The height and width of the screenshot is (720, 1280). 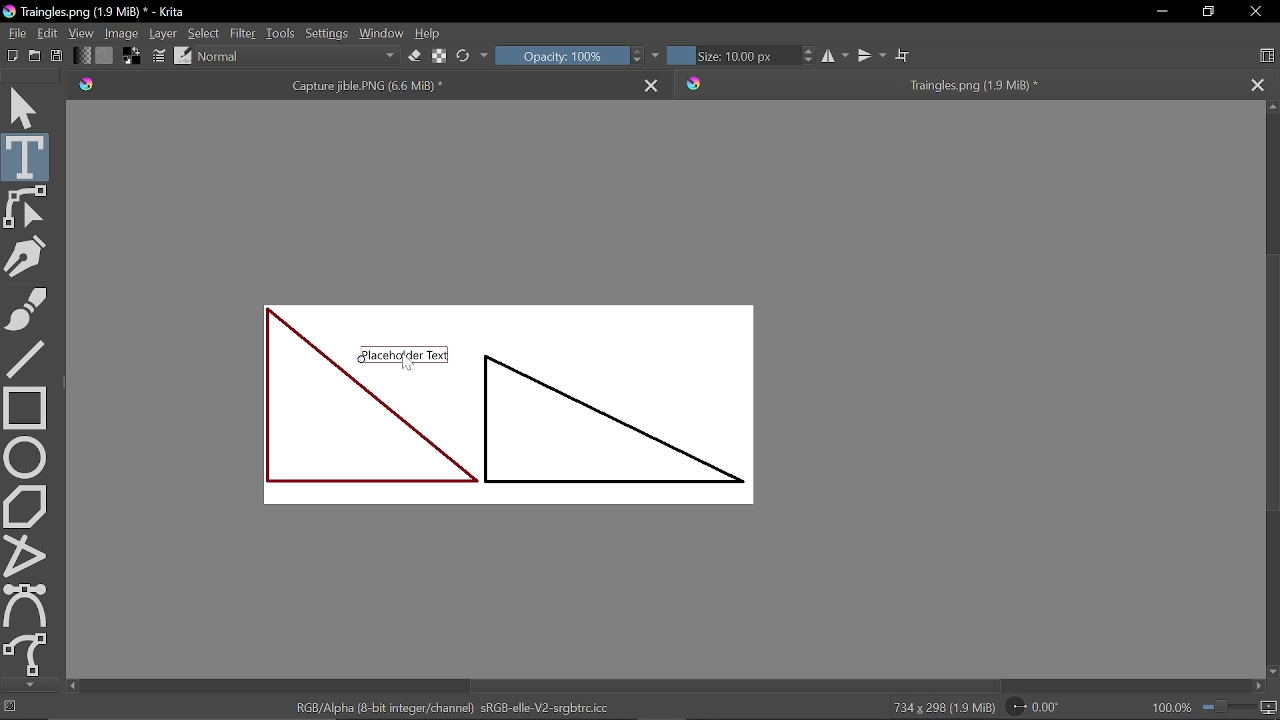 What do you see at coordinates (157, 55) in the screenshot?
I see `Edit Brush settings` at bounding box center [157, 55].